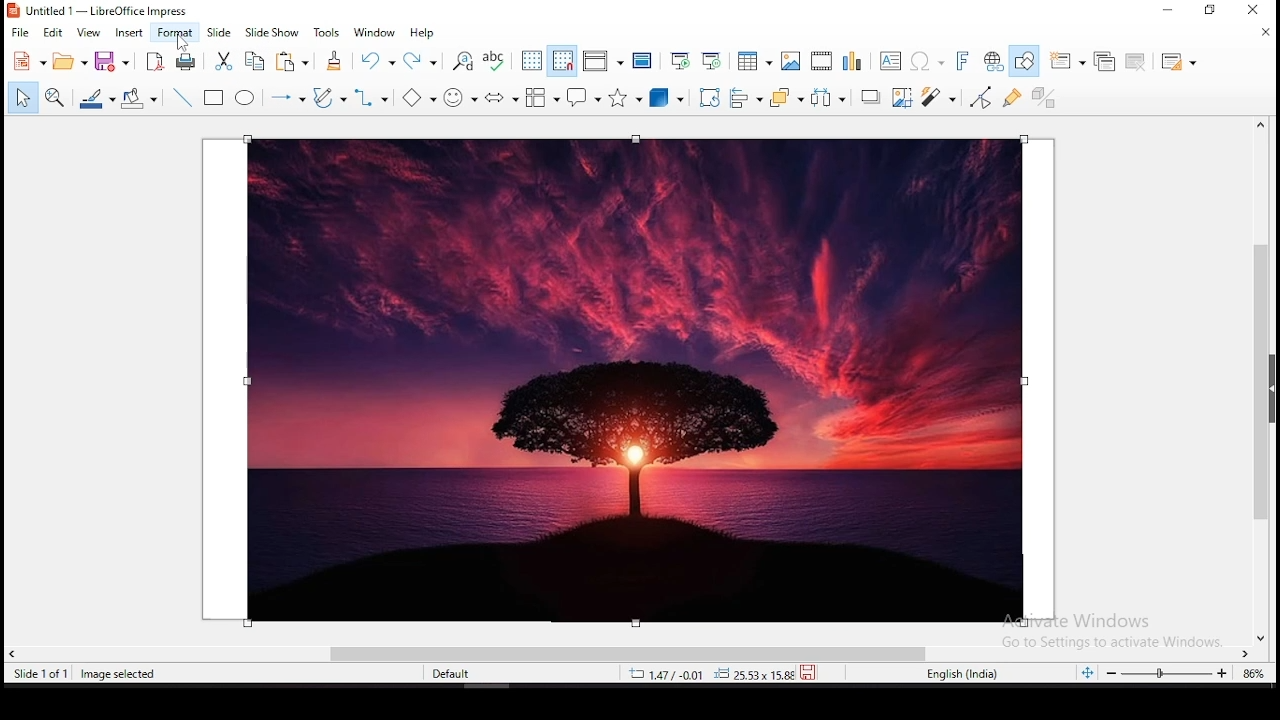 The image size is (1280, 720). I want to click on master slide, so click(641, 60).